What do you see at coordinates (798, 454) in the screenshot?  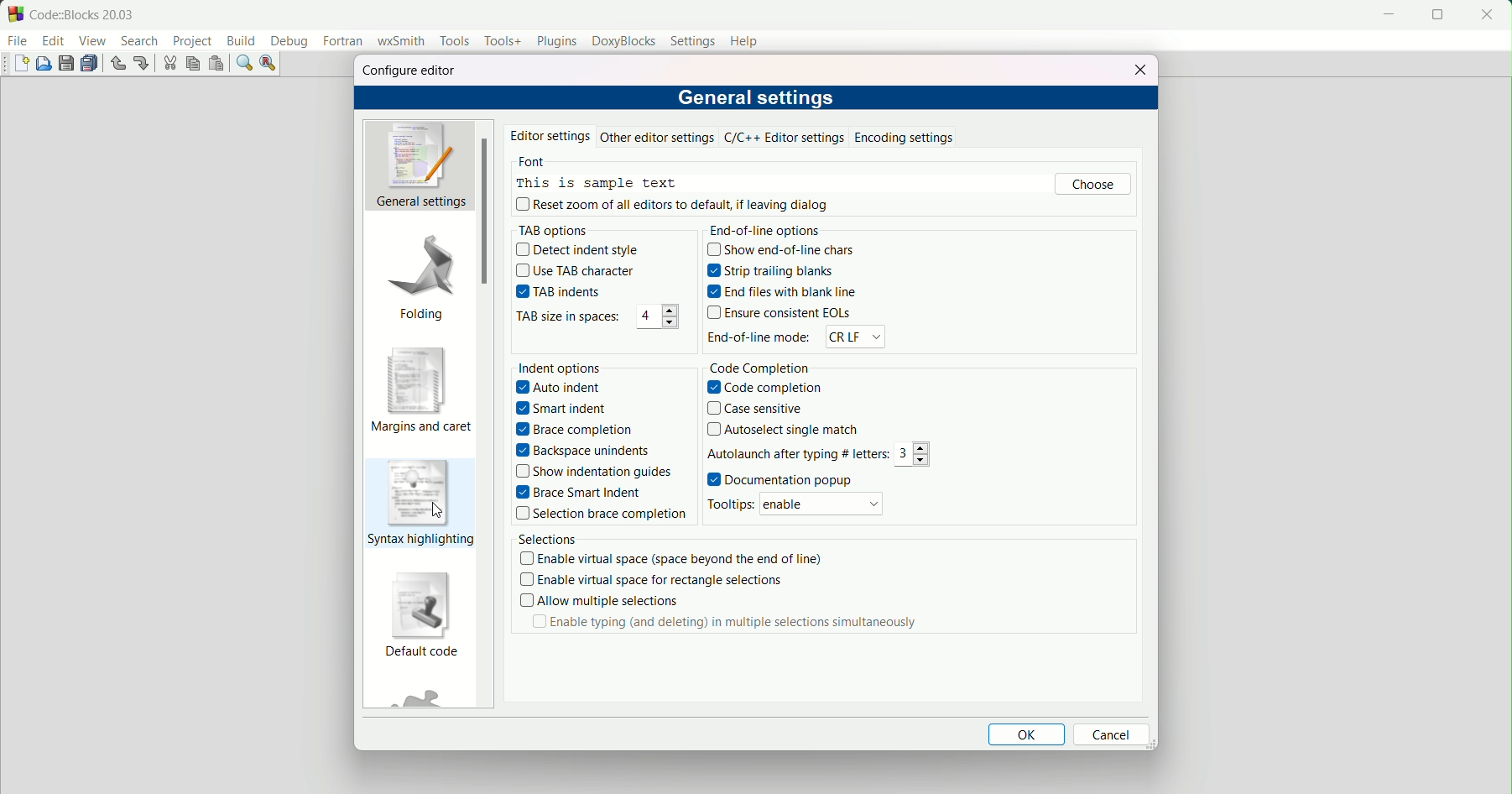 I see `autolaunch` at bounding box center [798, 454].